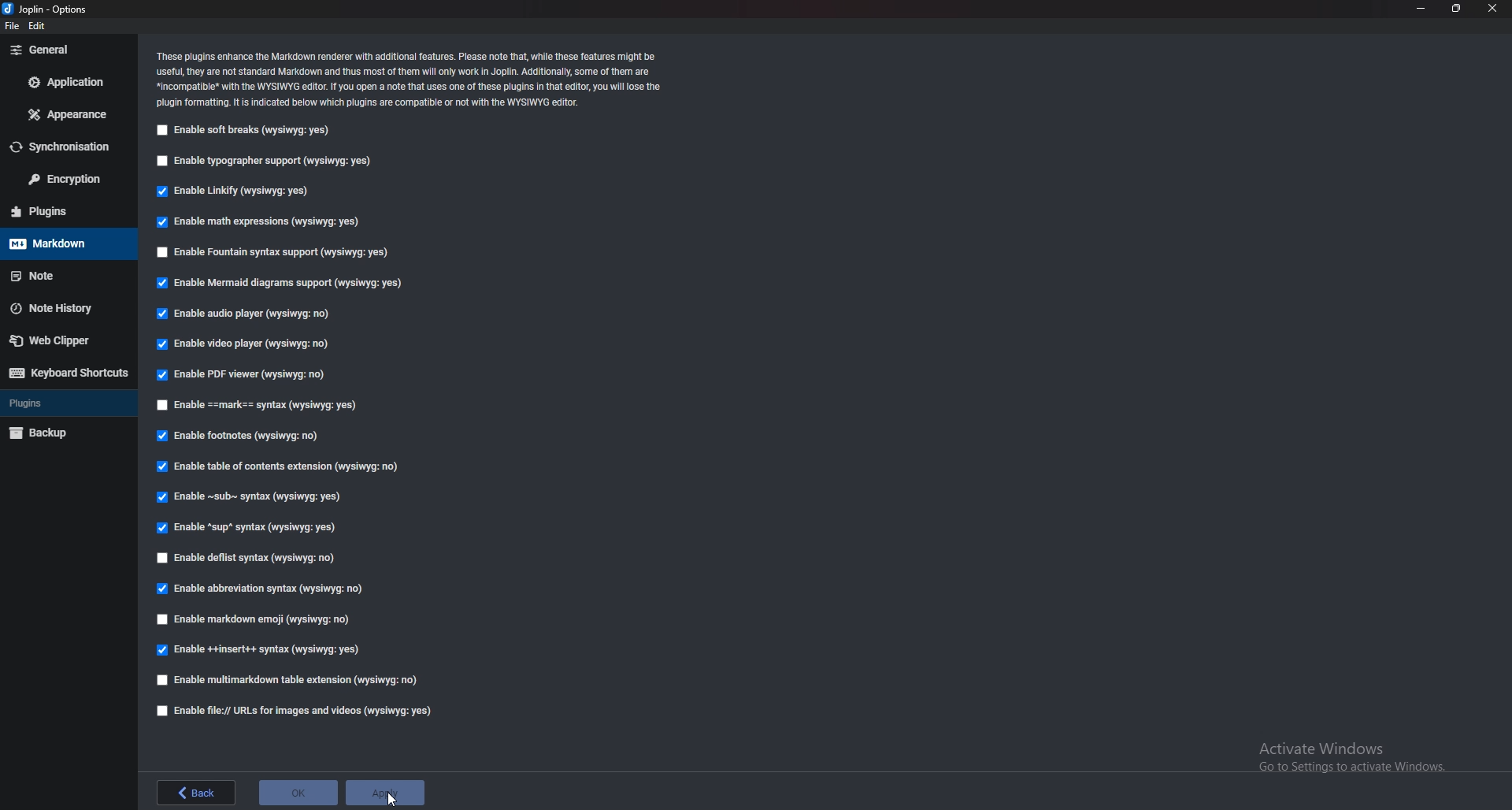 This screenshot has height=810, width=1512. What do you see at coordinates (70, 180) in the screenshot?
I see `Encryption` at bounding box center [70, 180].